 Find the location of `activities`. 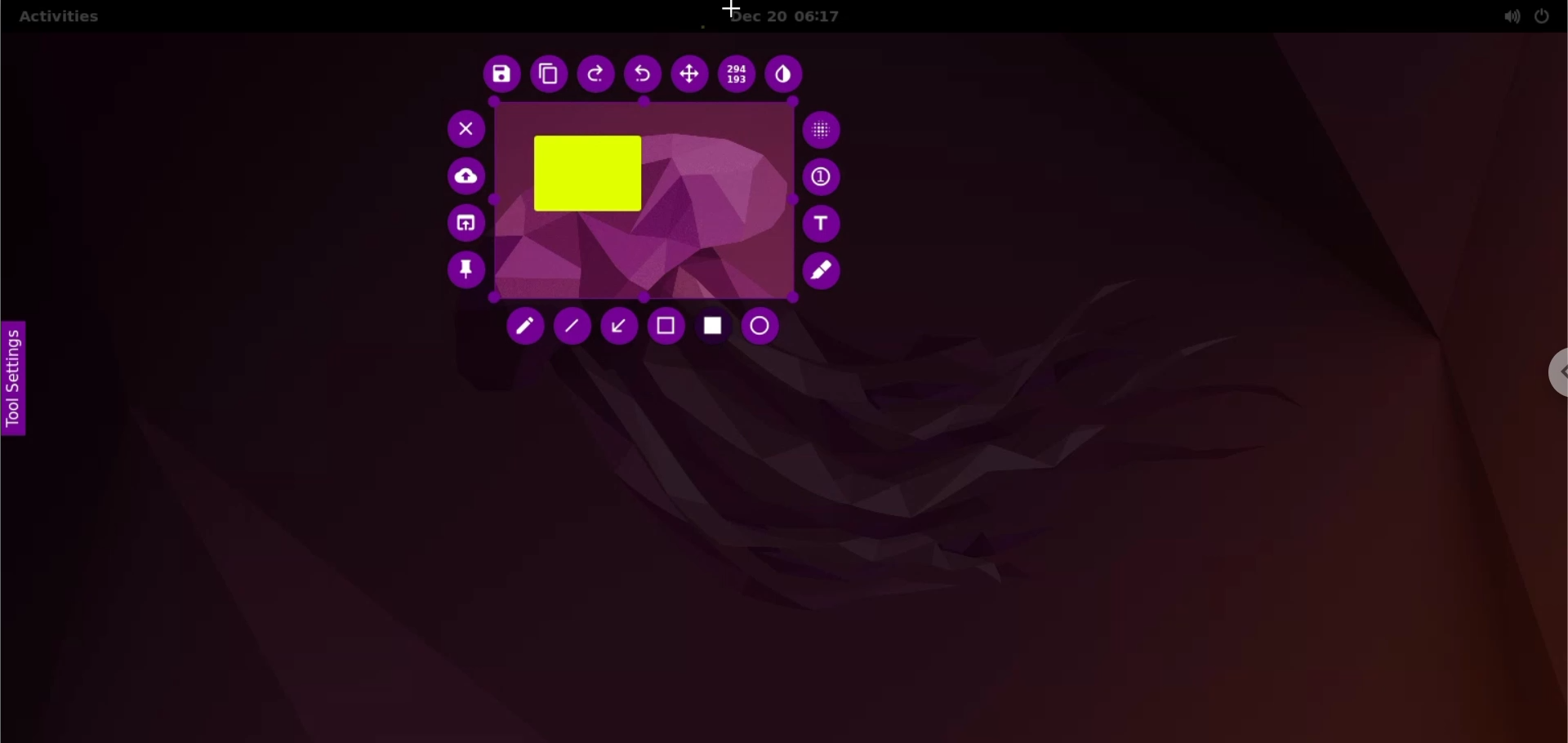

activities is located at coordinates (58, 19).